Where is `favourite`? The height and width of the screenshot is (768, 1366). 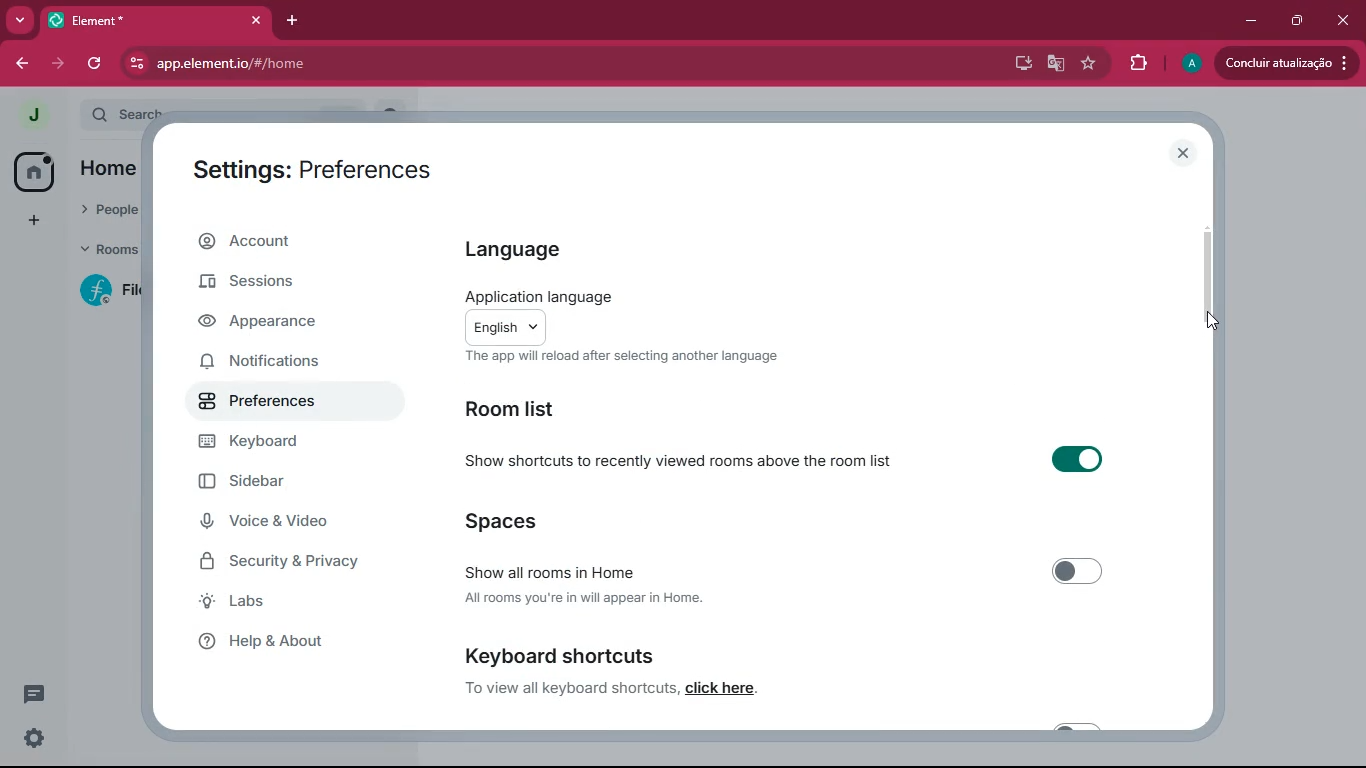
favourite is located at coordinates (1087, 63).